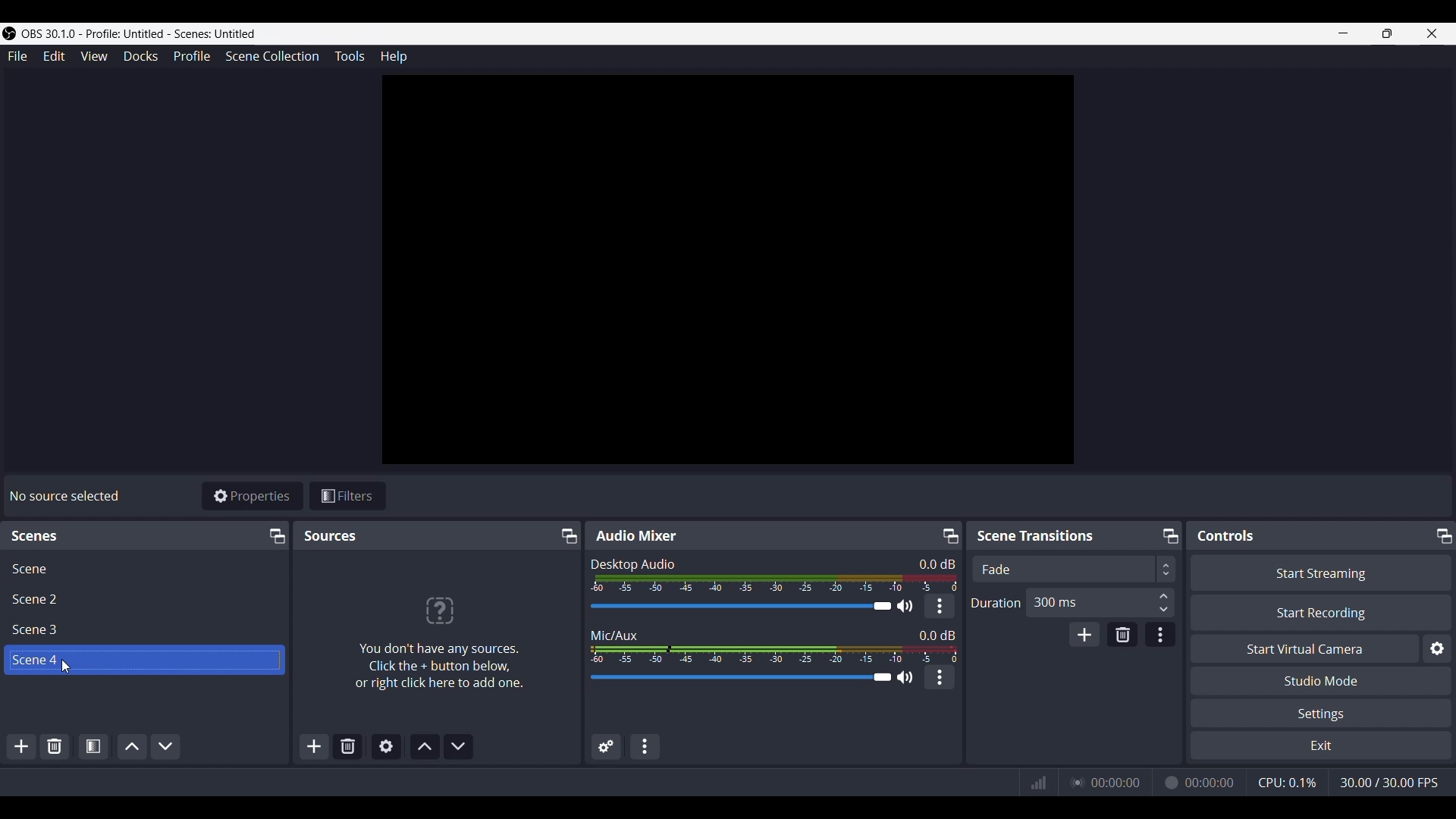 This screenshot has height=819, width=1456. What do you see at coordinates (392, 58) in the screenshot?
I see `Help` at bounding box center [392, 58].